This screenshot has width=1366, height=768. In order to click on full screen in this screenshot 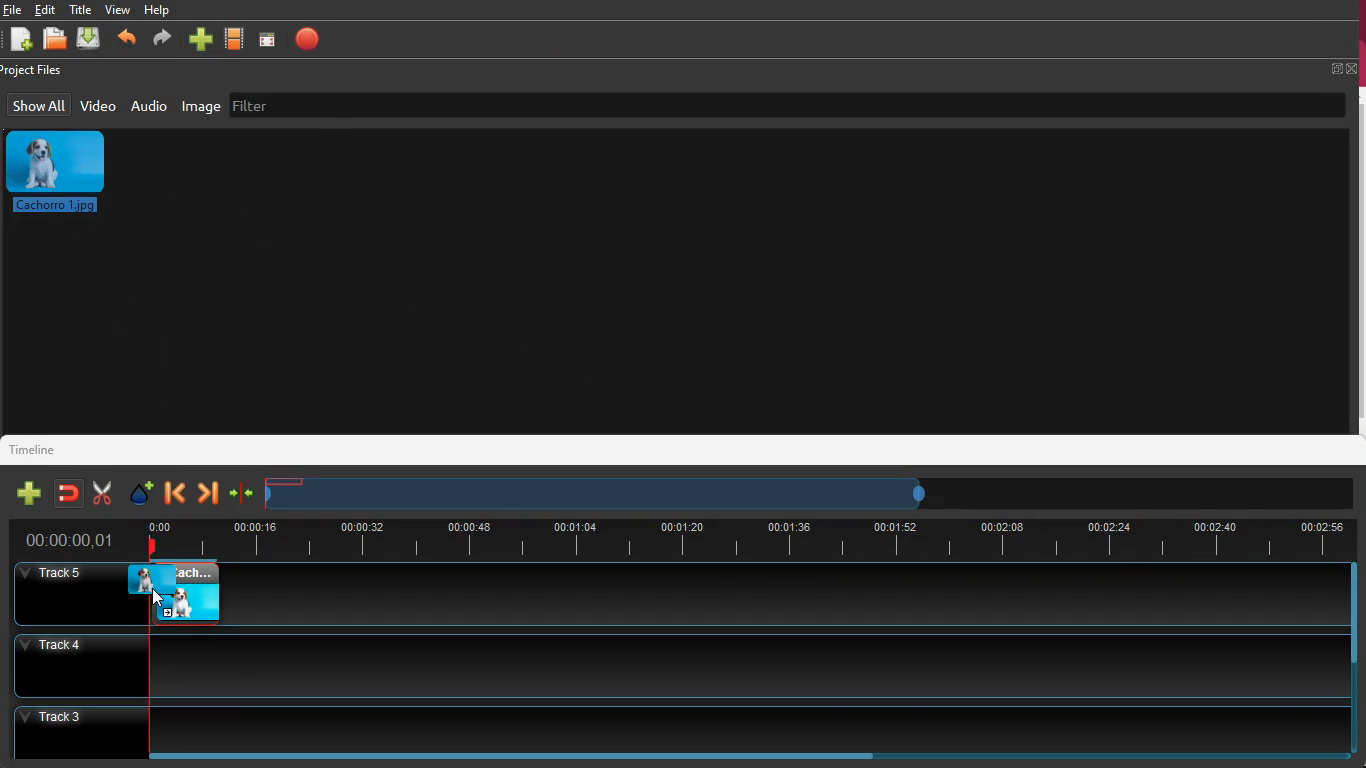, I will do `click(1342, 69)`.